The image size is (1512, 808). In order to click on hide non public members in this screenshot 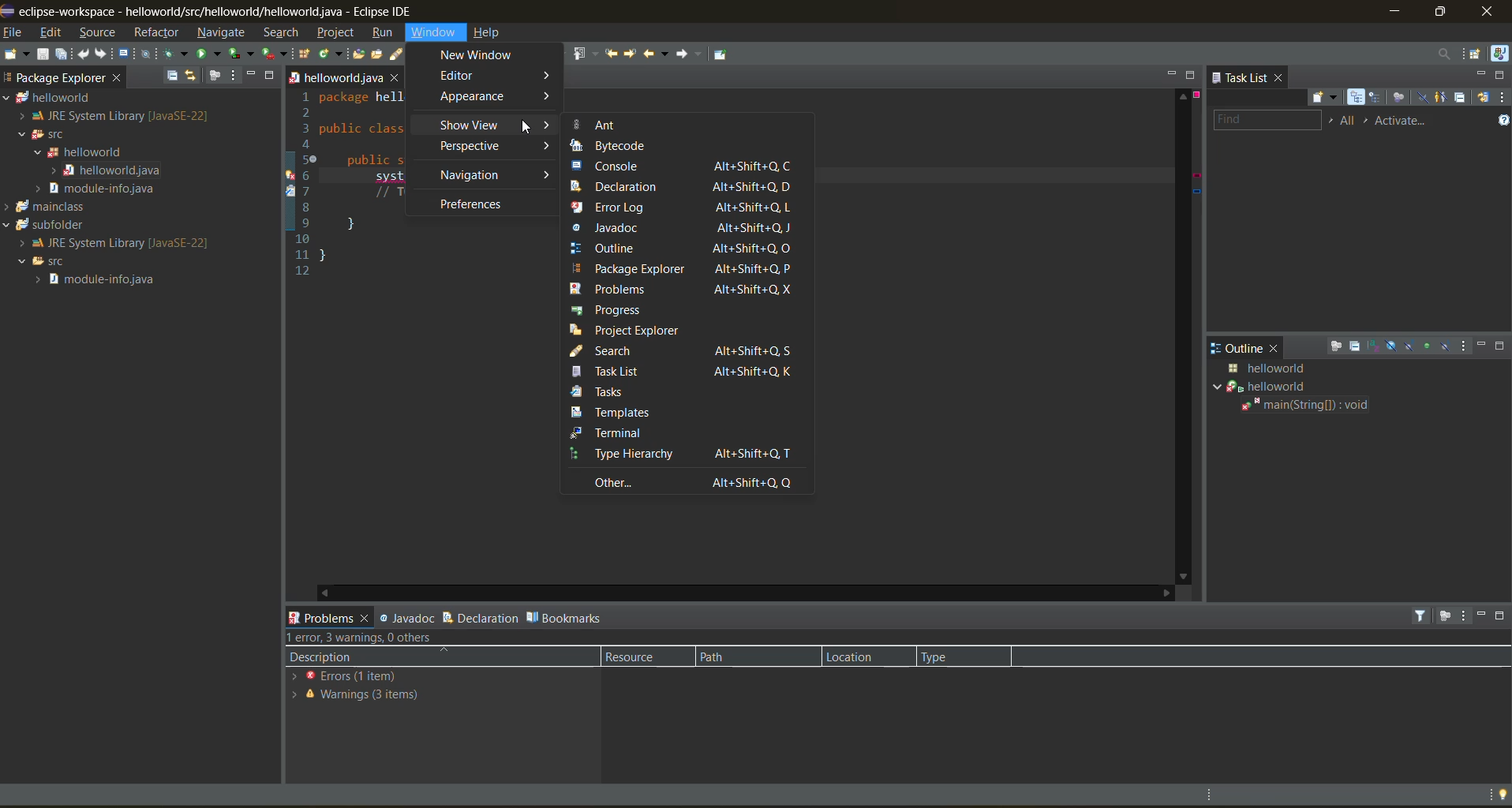, I will do `click(1429, 346)`.